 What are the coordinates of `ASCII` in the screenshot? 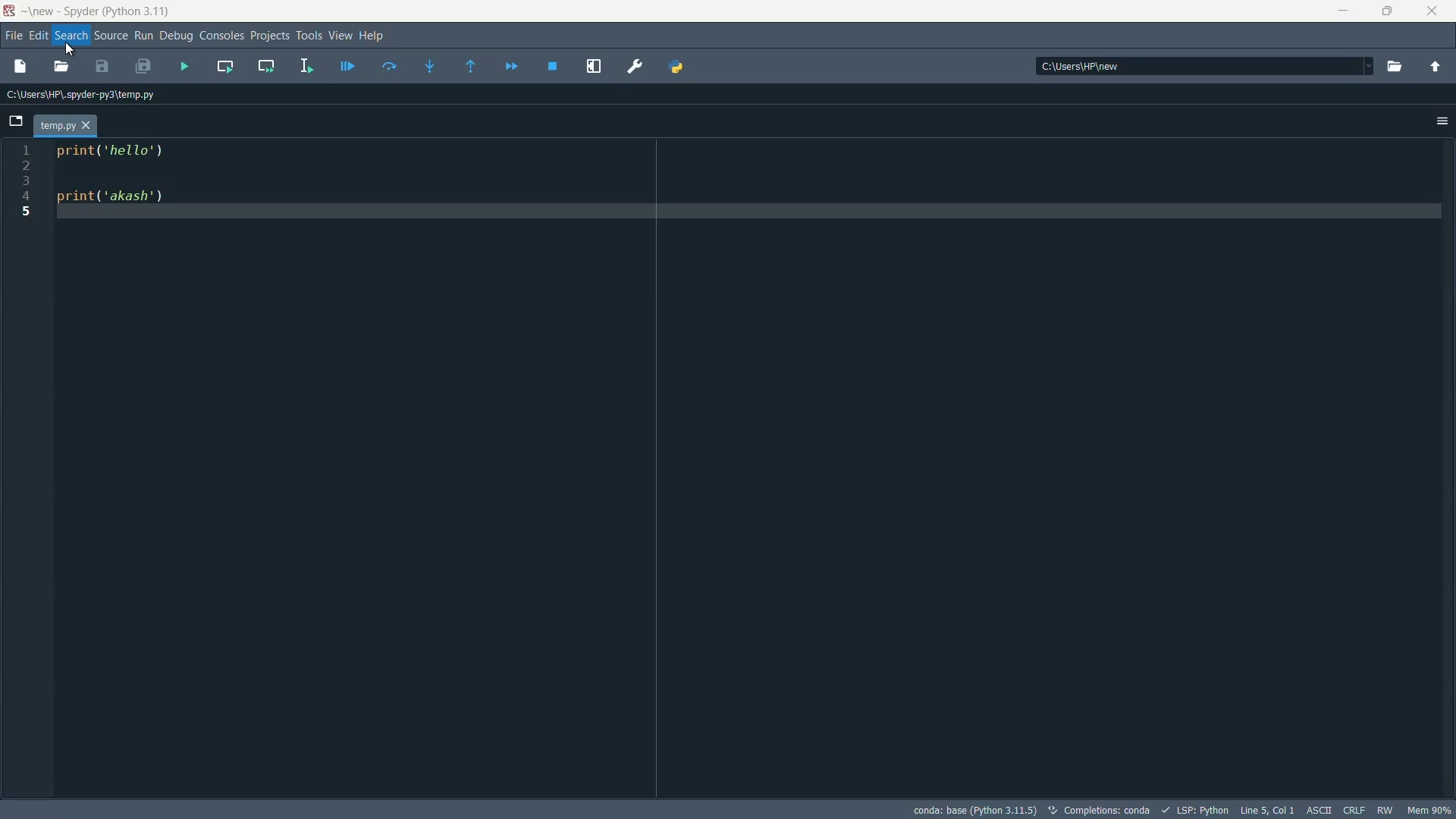 It's located at (1318, 809).